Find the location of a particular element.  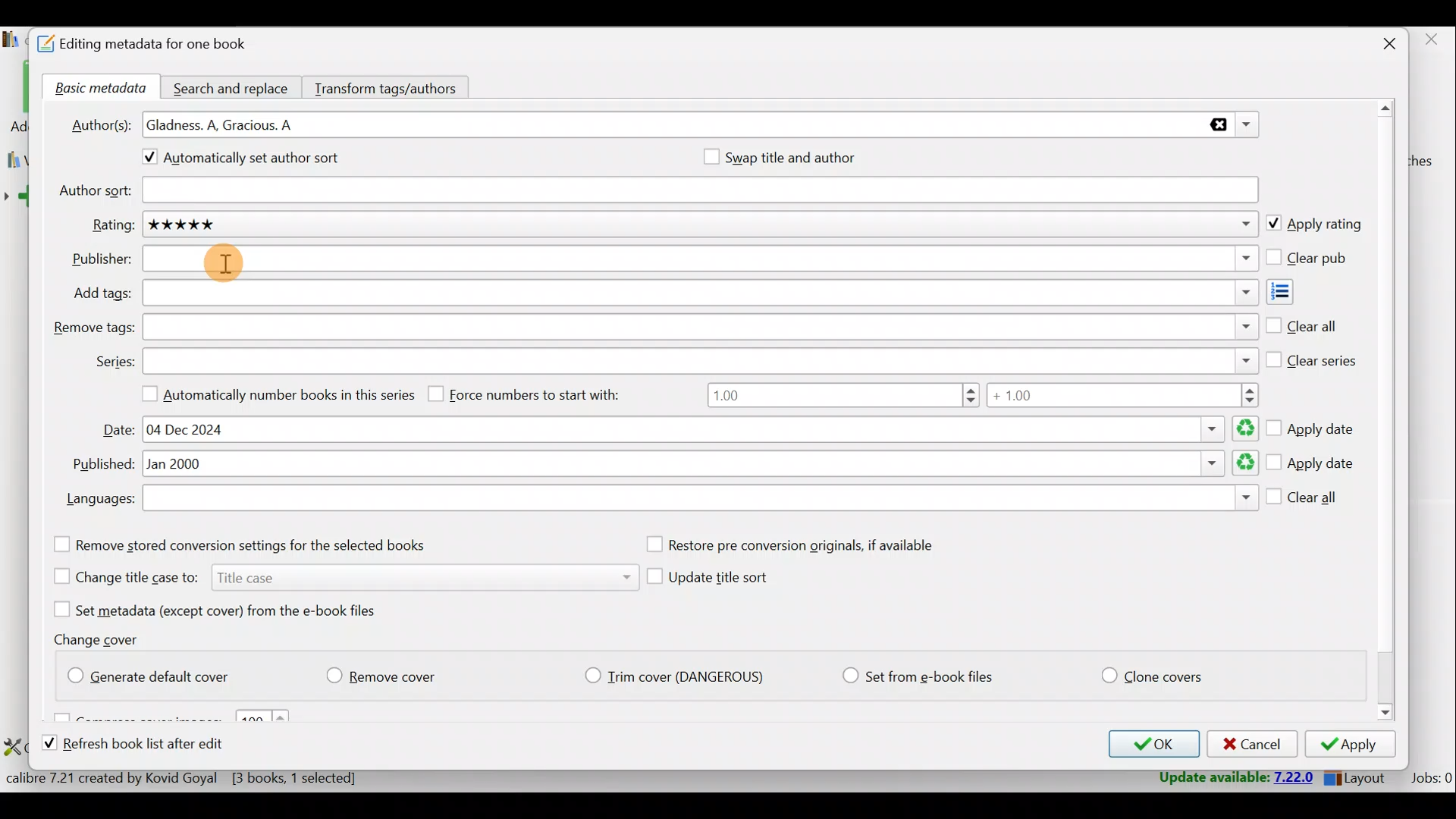

Automatically set author sort is located at coordinates (253, 160).